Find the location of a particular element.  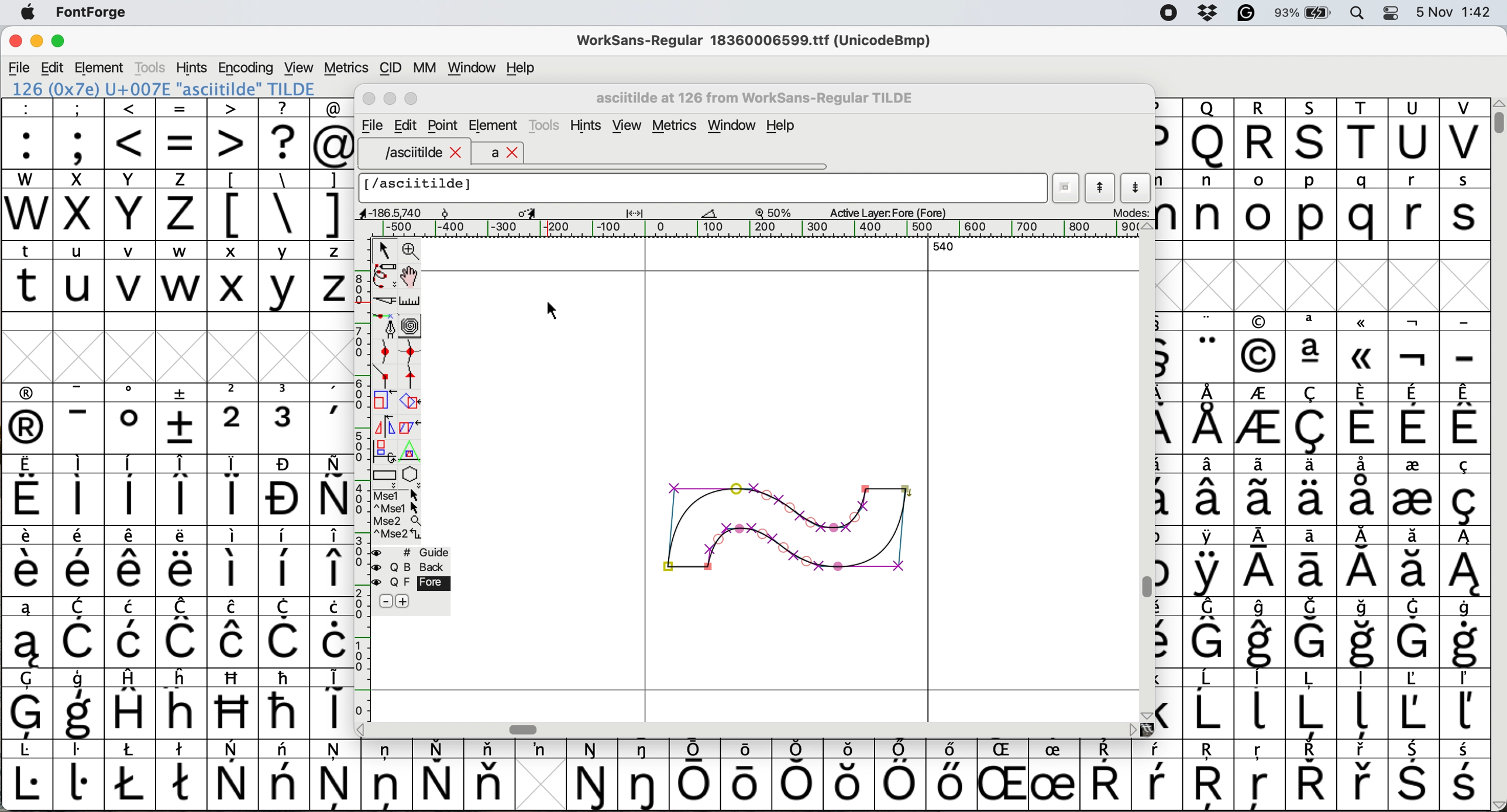

symbol is located at coordinates (234, 490).